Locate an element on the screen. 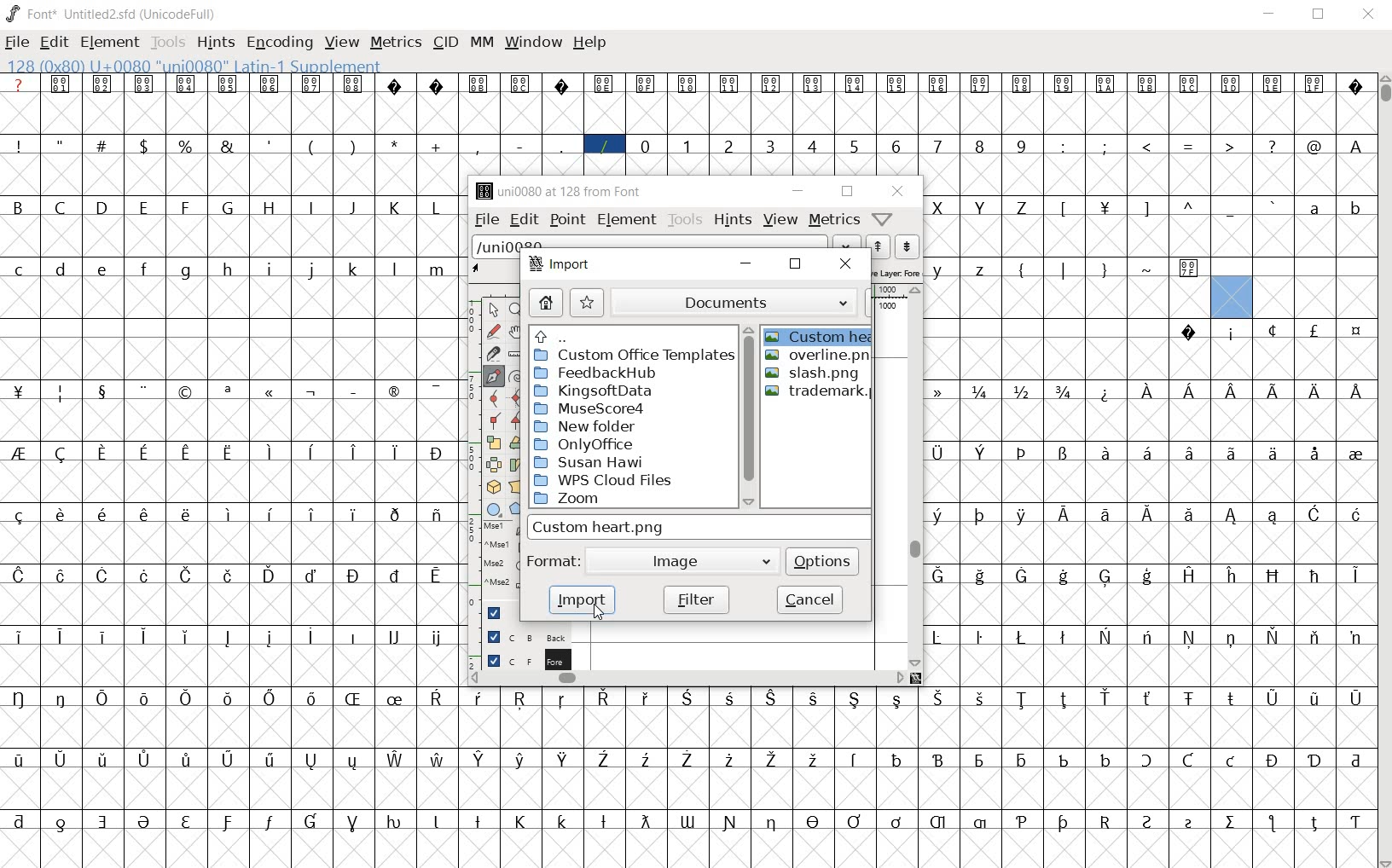  ELEMENT is located at coordinates (111, 43).